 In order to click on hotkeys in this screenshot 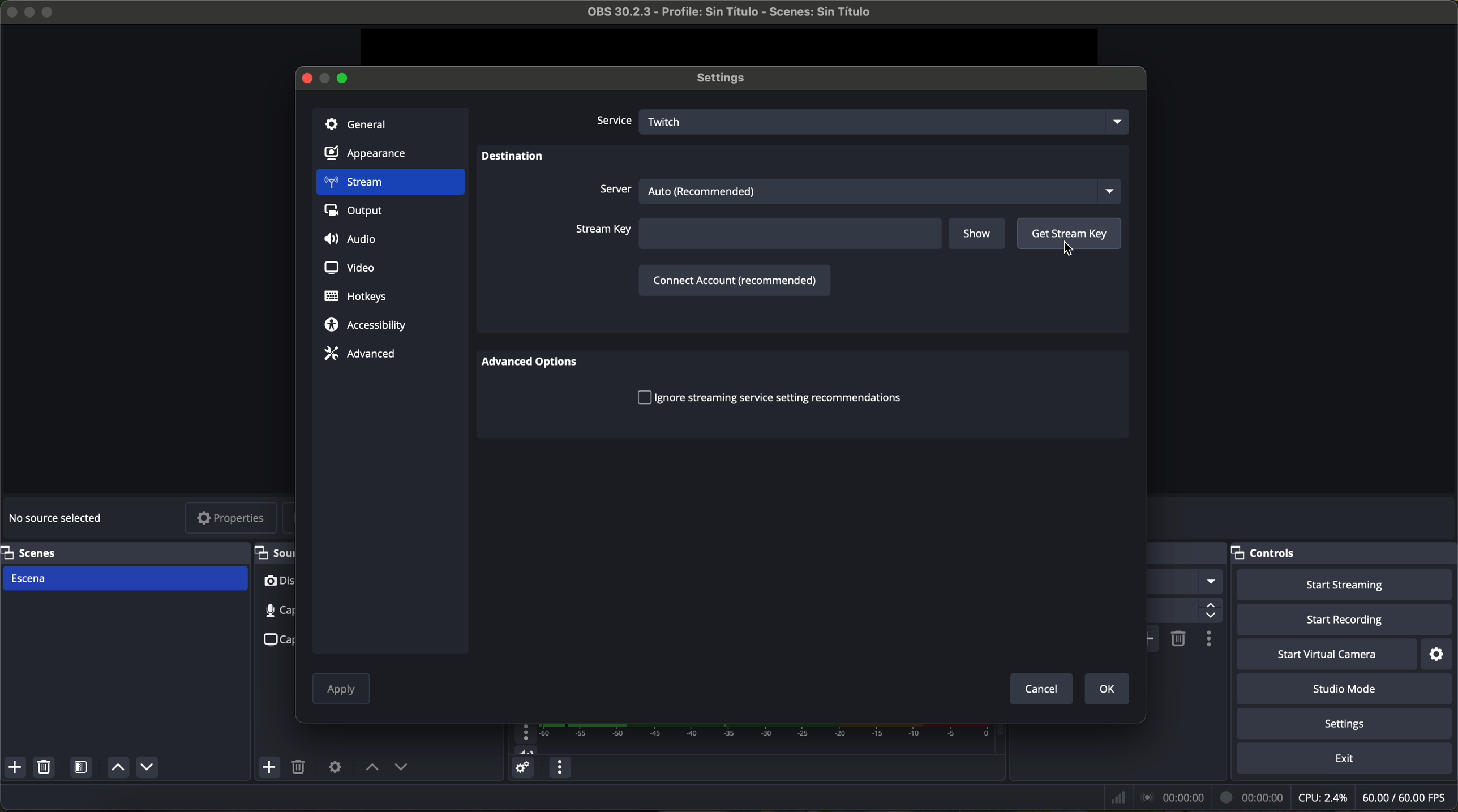, I will do `click(356, 297)`.